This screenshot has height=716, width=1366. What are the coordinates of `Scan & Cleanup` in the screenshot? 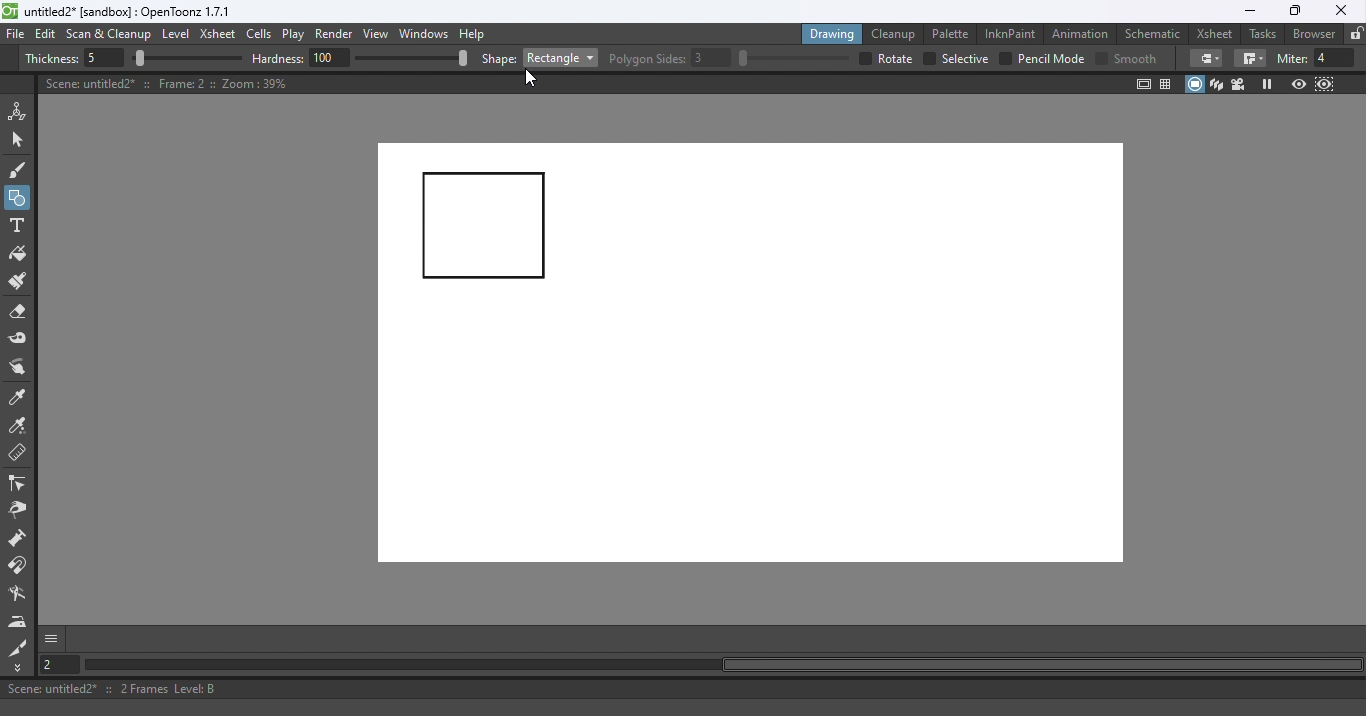 It's located at (109, 36).